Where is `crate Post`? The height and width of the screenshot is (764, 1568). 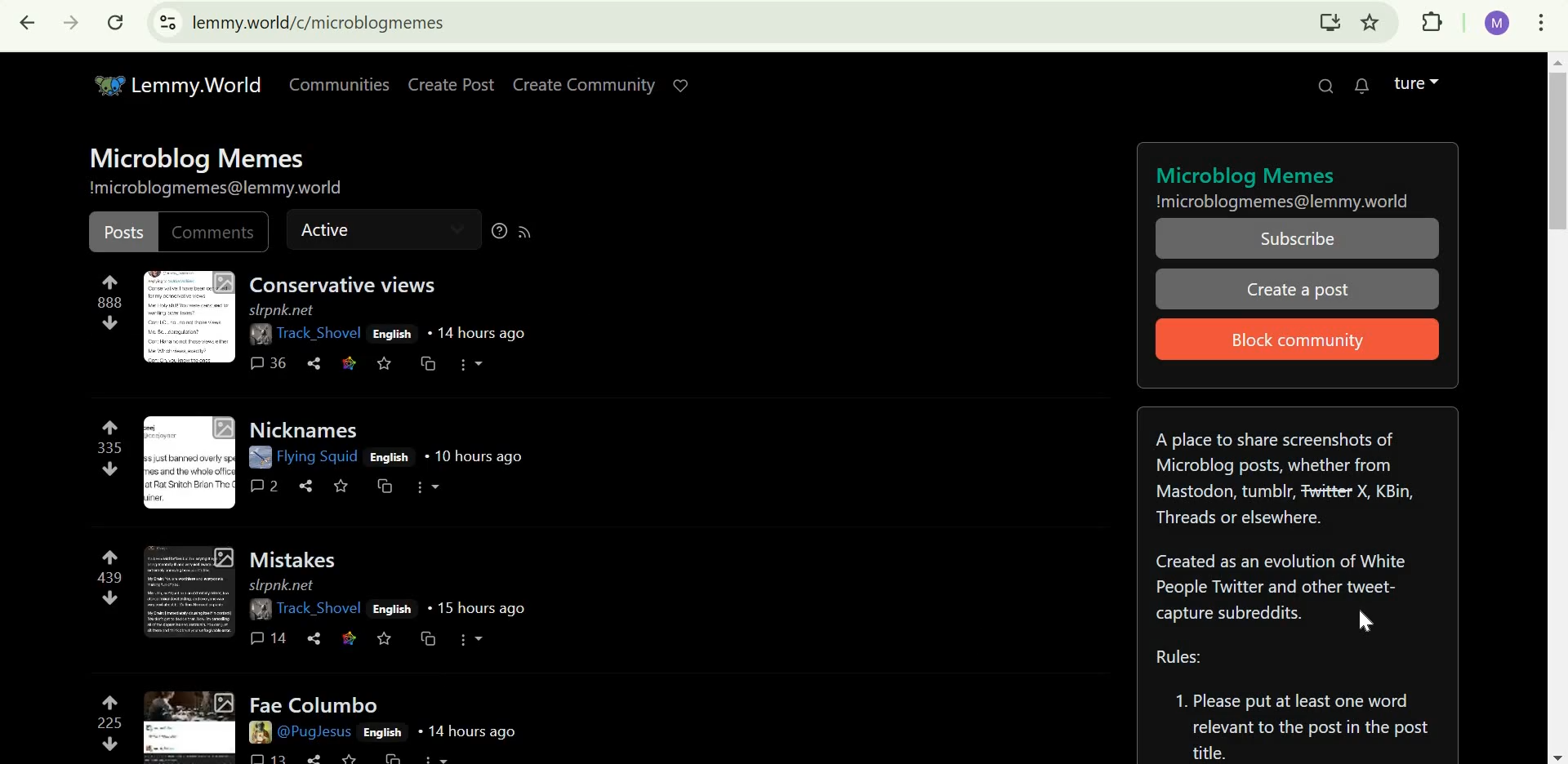
crate Post is located at coordinates (449, 80).